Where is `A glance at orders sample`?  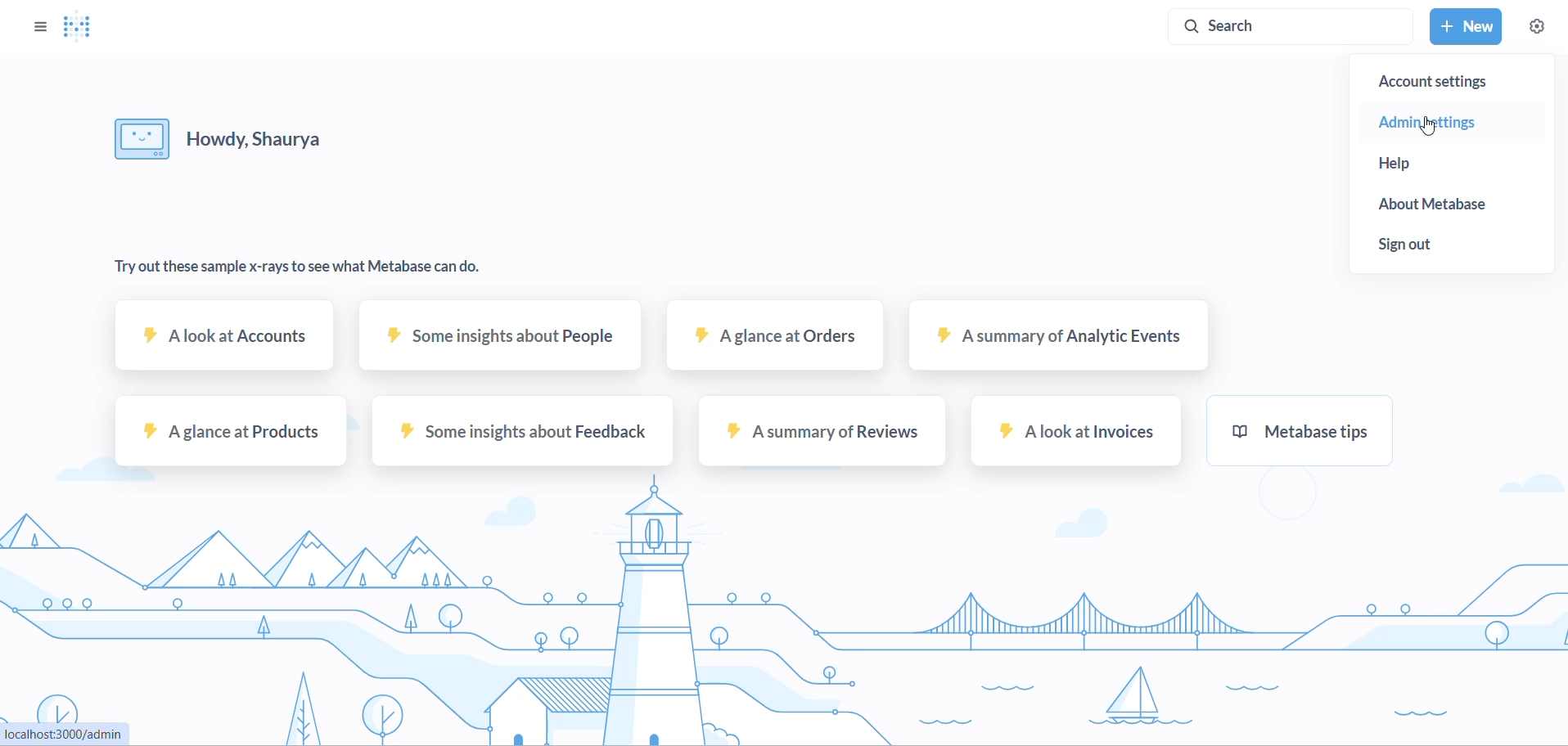
A glance at orders sample is located at coordinates (766, 339).